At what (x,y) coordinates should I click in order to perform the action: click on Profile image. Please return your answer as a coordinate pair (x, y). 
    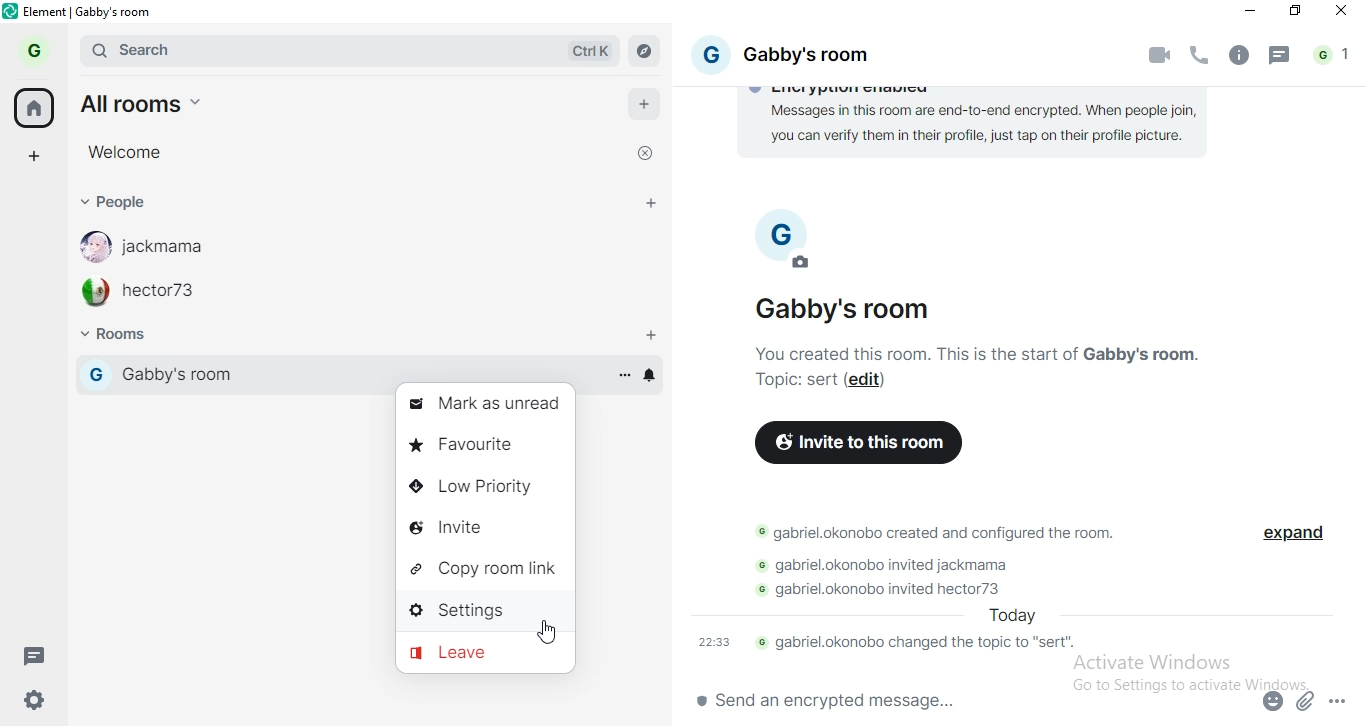
    Looking at the image, I should click on (90, 246).